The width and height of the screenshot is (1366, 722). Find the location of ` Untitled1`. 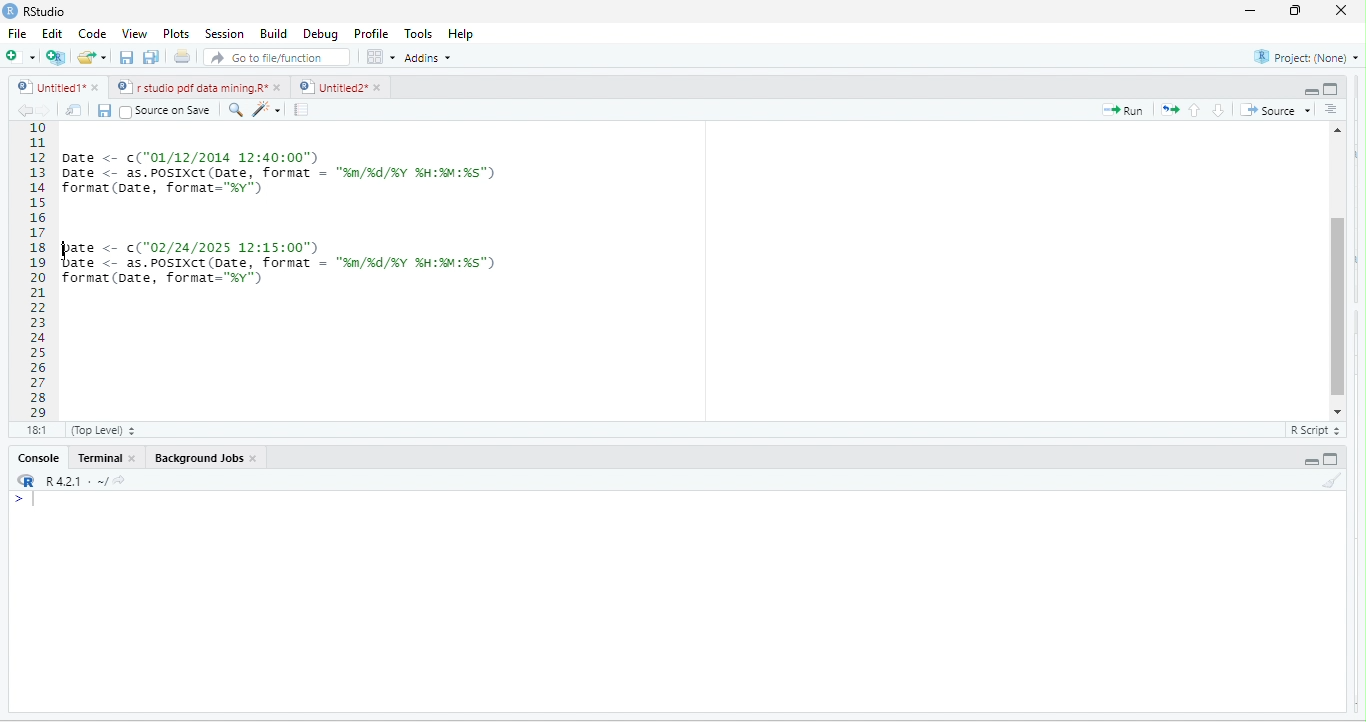

 Untitled1 is located at coordinates (46, 87).